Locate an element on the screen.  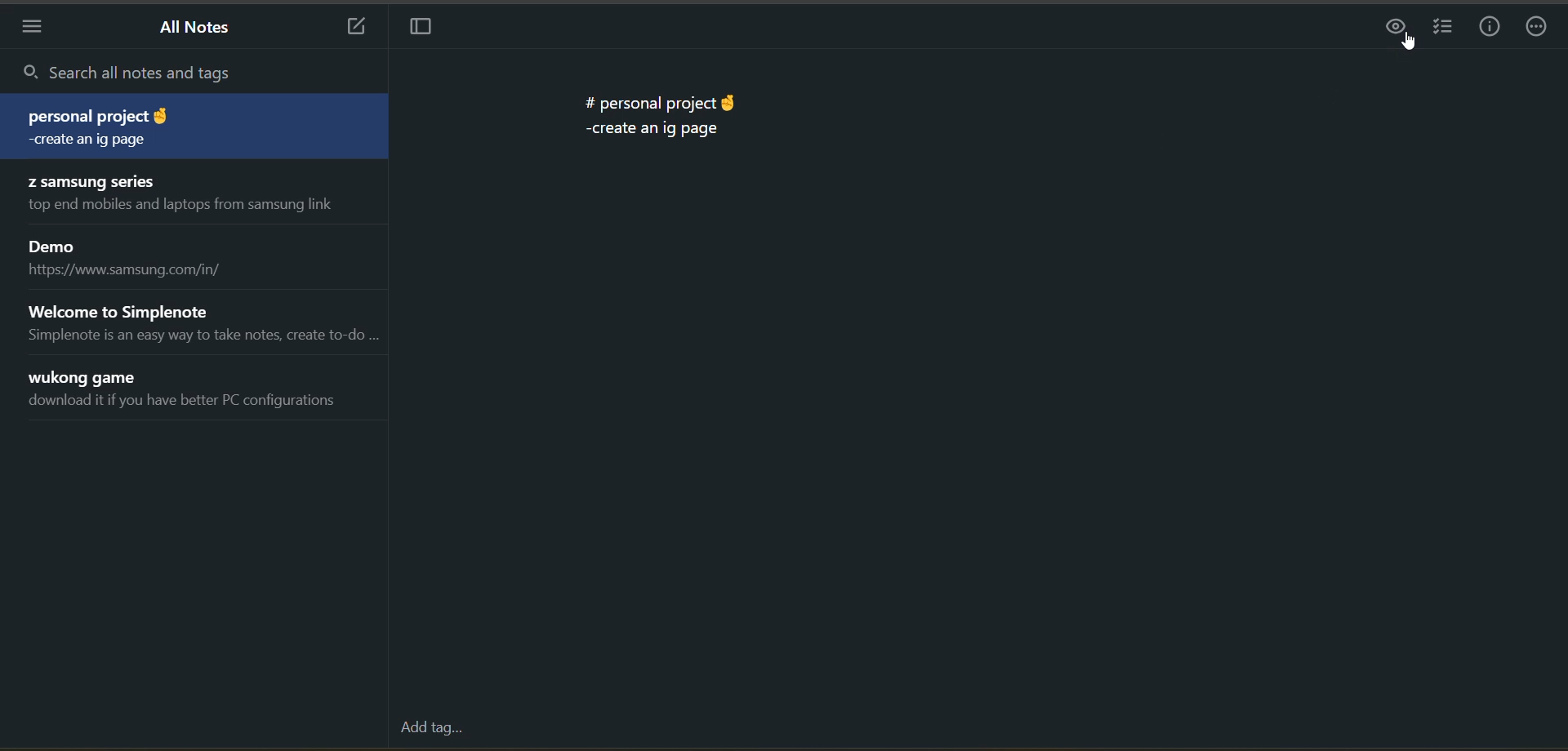
new note is located at coordinates (358, 28).